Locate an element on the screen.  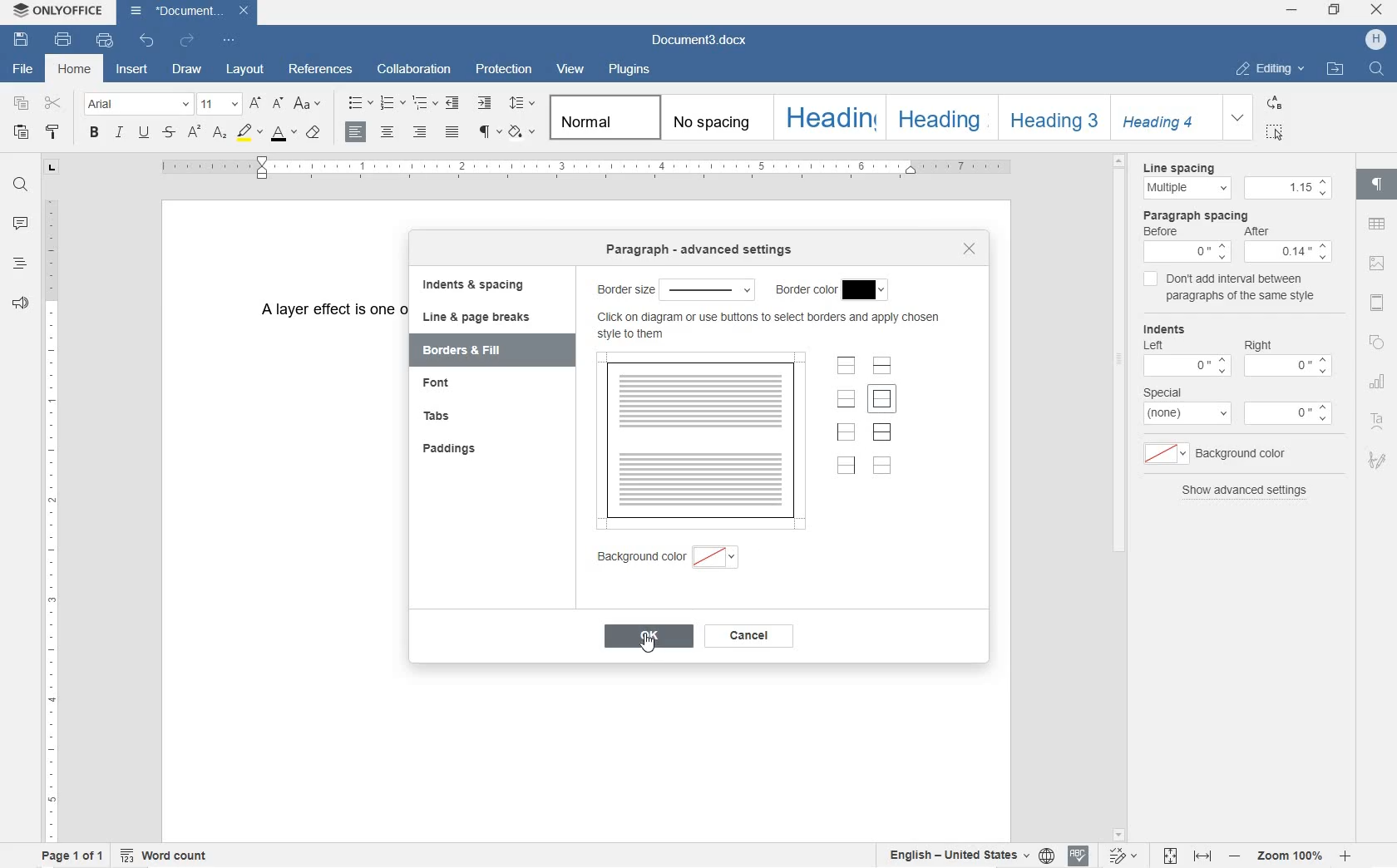
FIND is located at coordinates (1376, 69).